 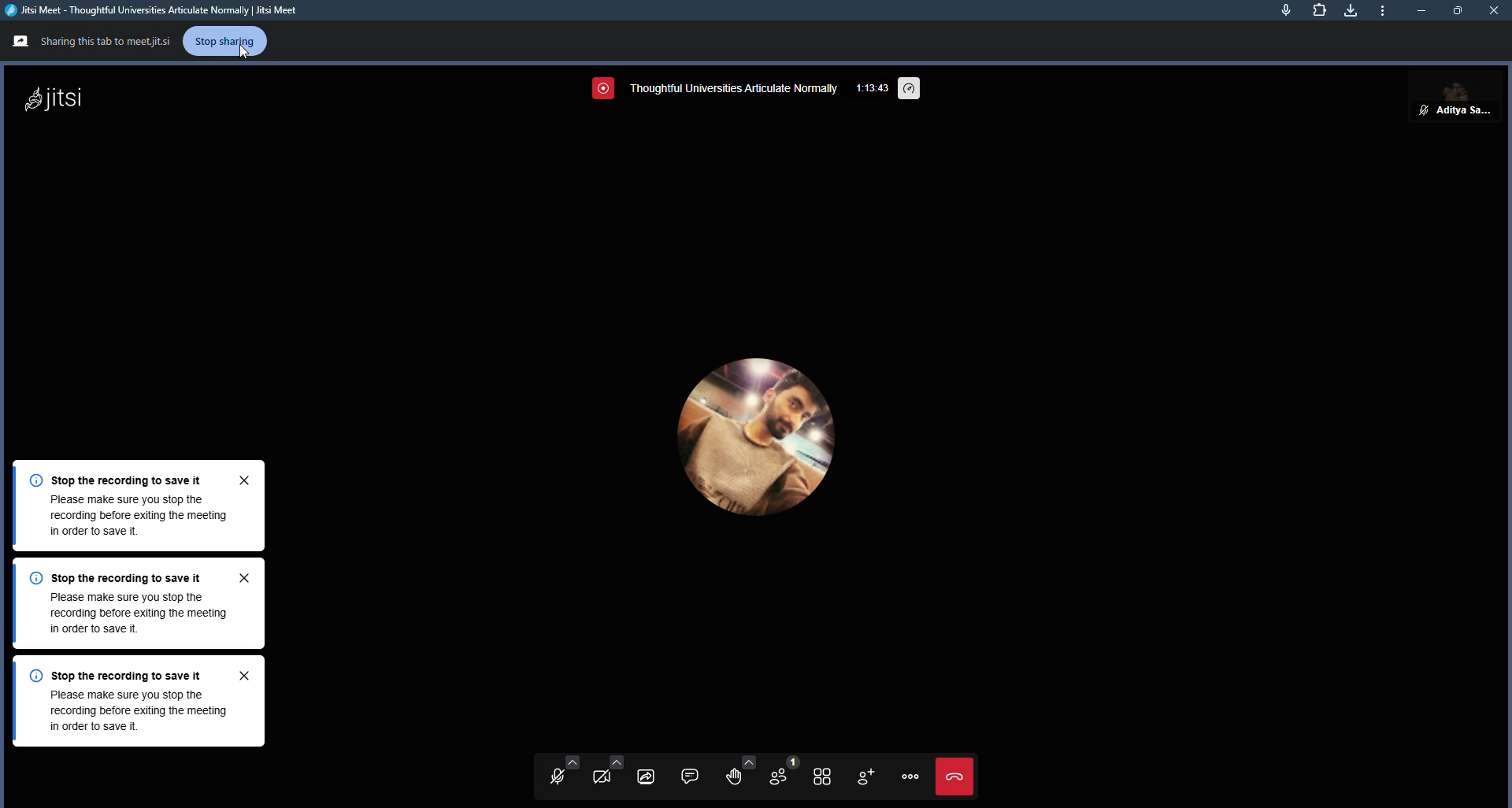 What do you see at coordinates (128, 615) in the screenshot?
I see `Please make sure you stop therecording before exiting the meeting in order to save it` at bounding box center [128, 615].